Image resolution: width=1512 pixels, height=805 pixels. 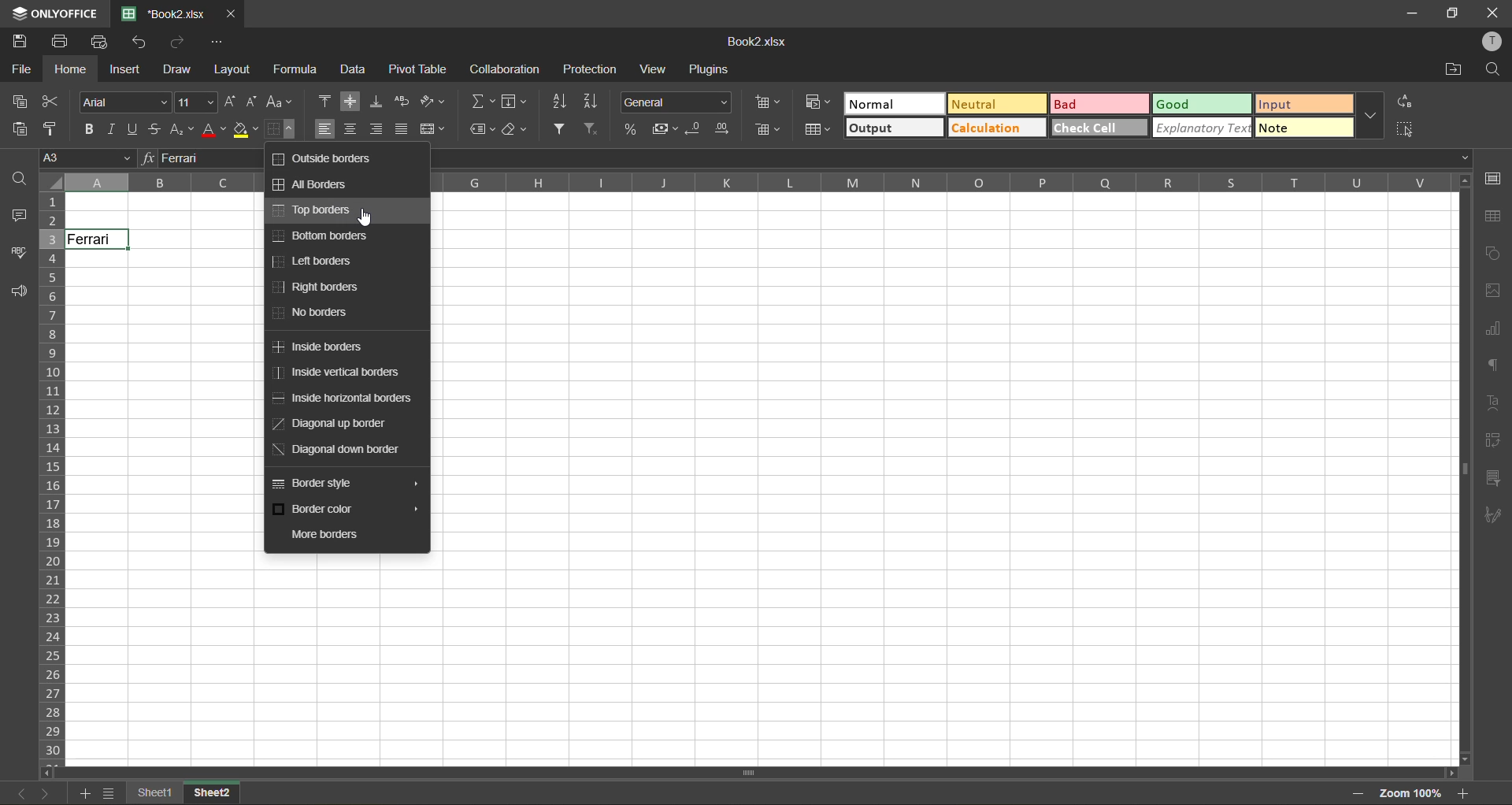 I want to click on orientation, so click(x=435, y=98).